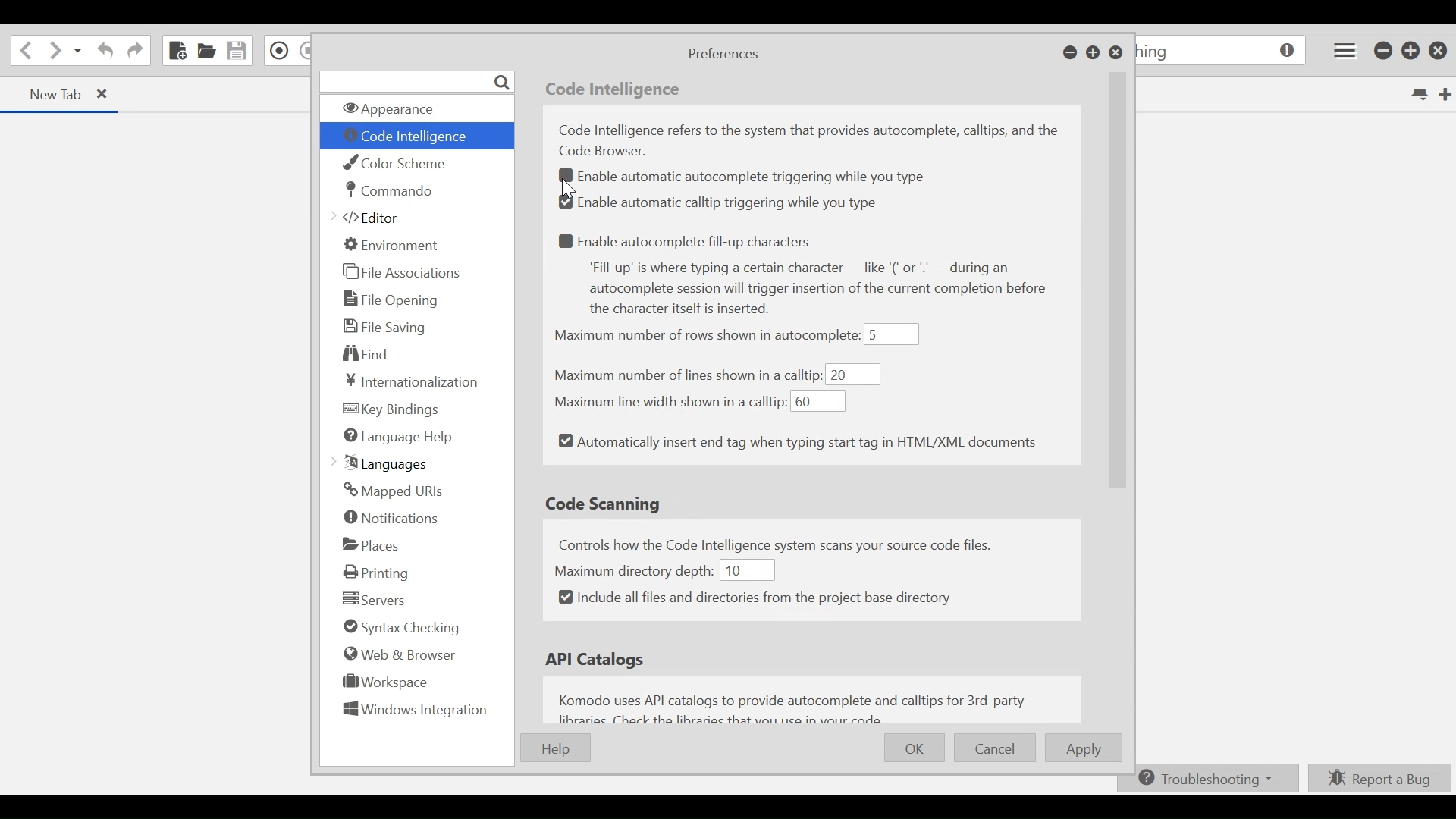  I want to click on Commando, so click(389, 190).